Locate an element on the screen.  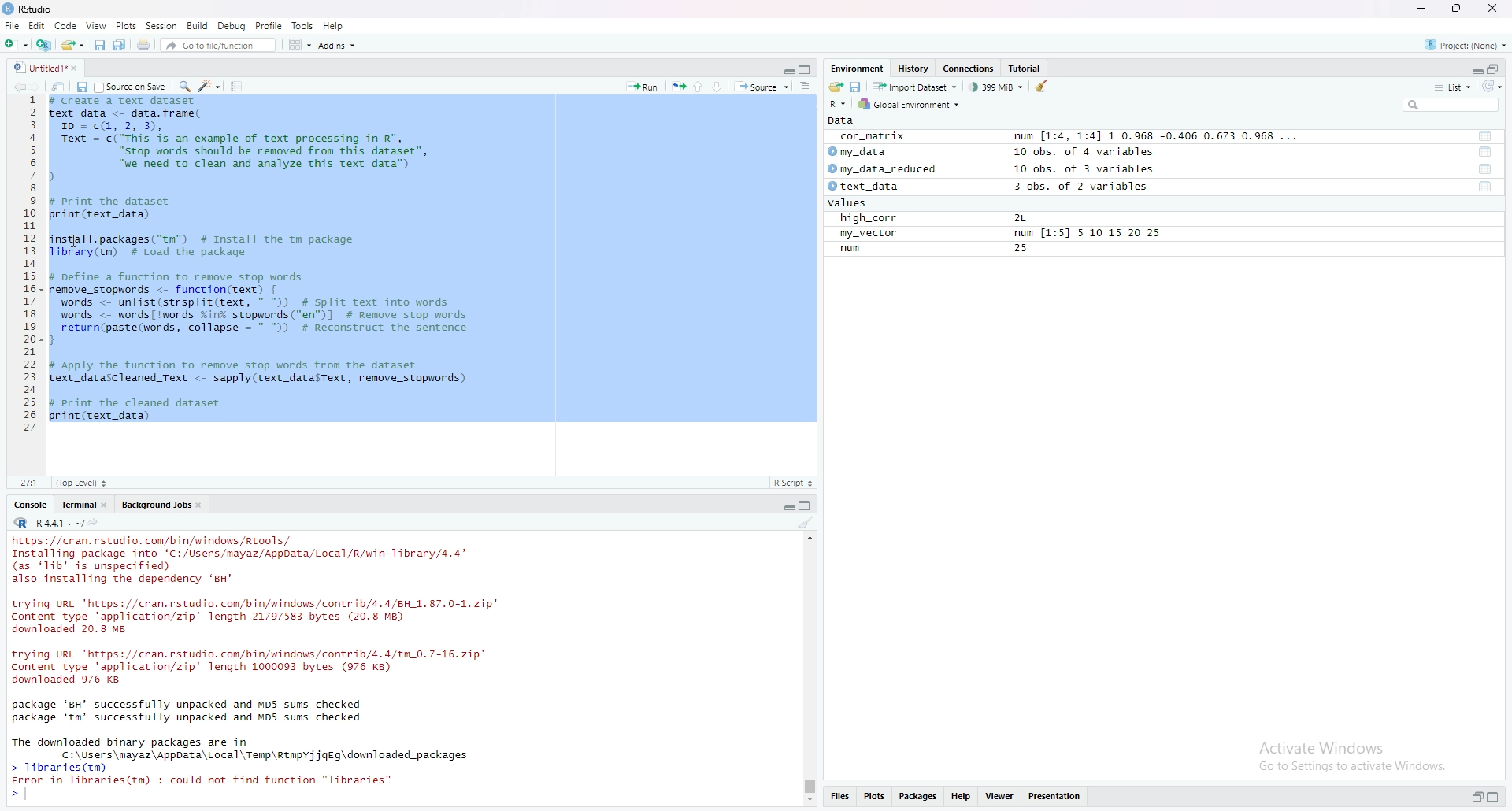
collapse is located at coordinates (1497, 797).